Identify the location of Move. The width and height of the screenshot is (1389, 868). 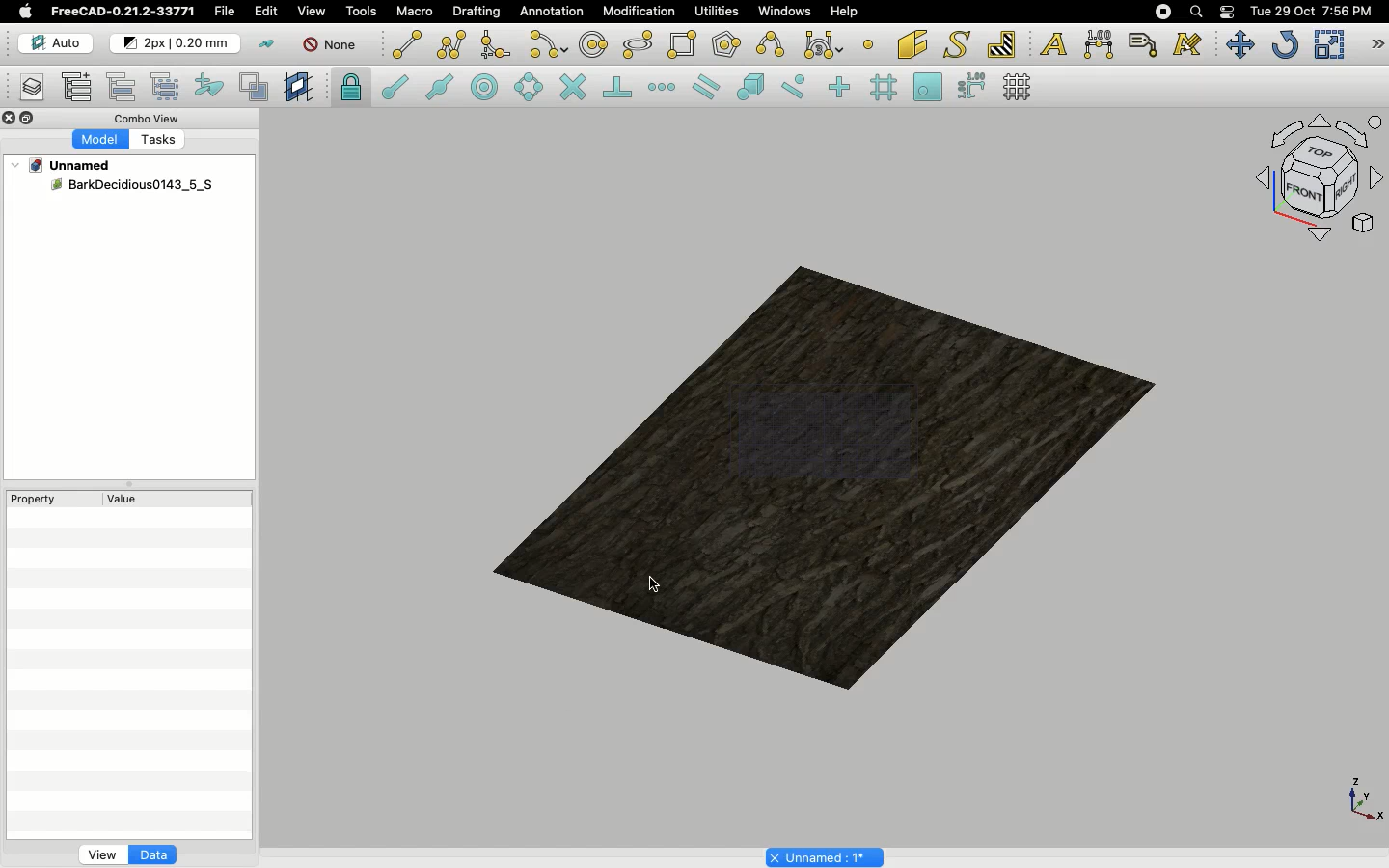
(1239, 44).